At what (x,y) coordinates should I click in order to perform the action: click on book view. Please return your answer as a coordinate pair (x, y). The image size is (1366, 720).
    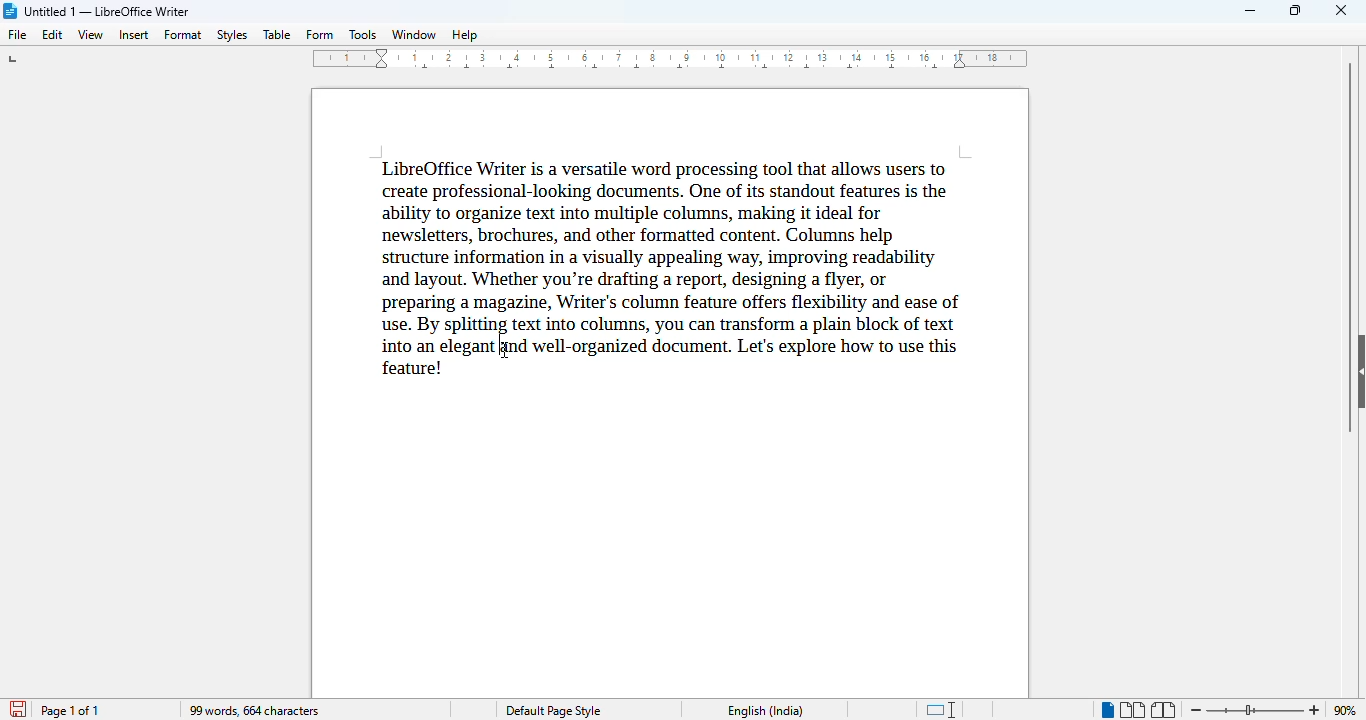
    Looking at the image, I should click on (1165, 710).